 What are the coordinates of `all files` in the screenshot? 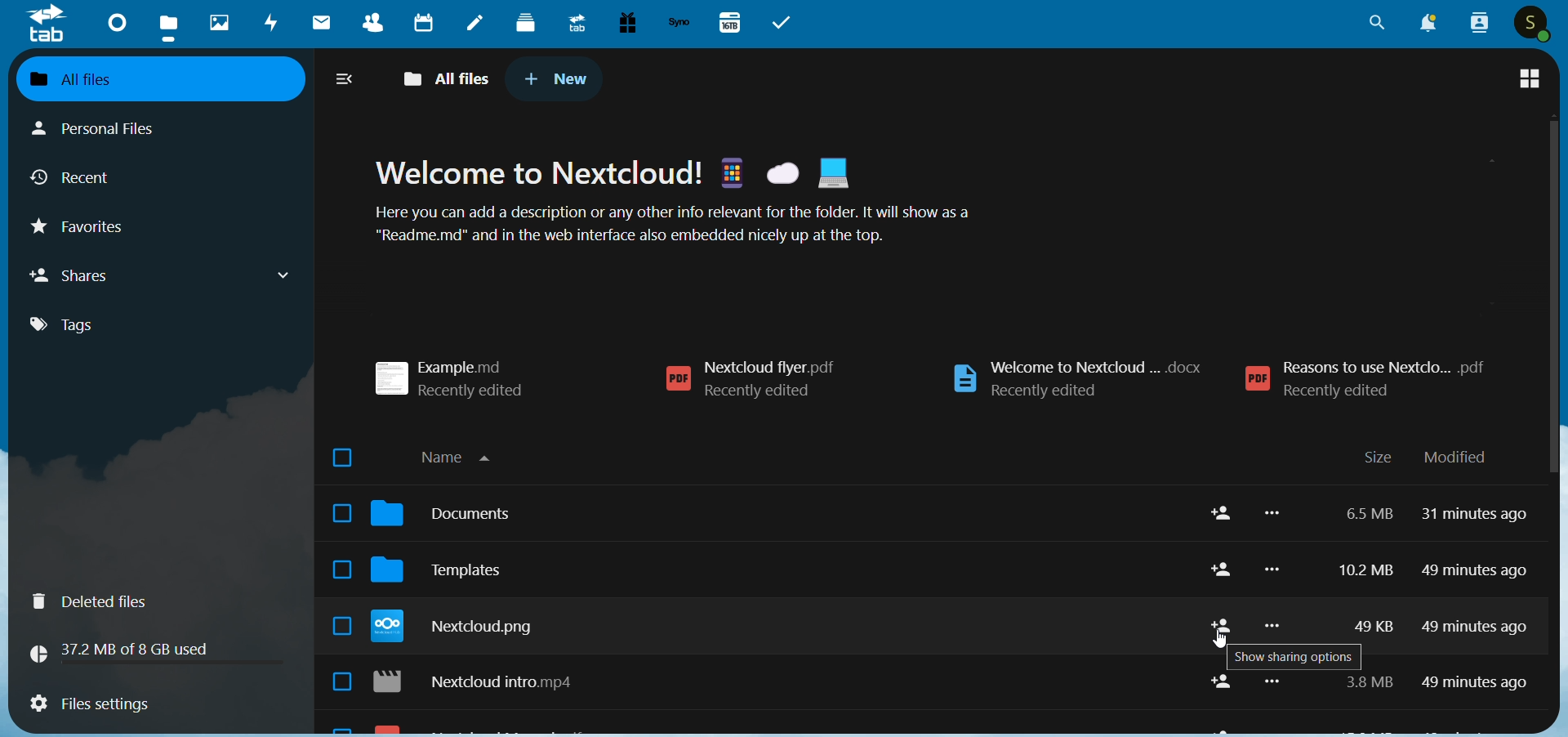 It's located at (146, 78).